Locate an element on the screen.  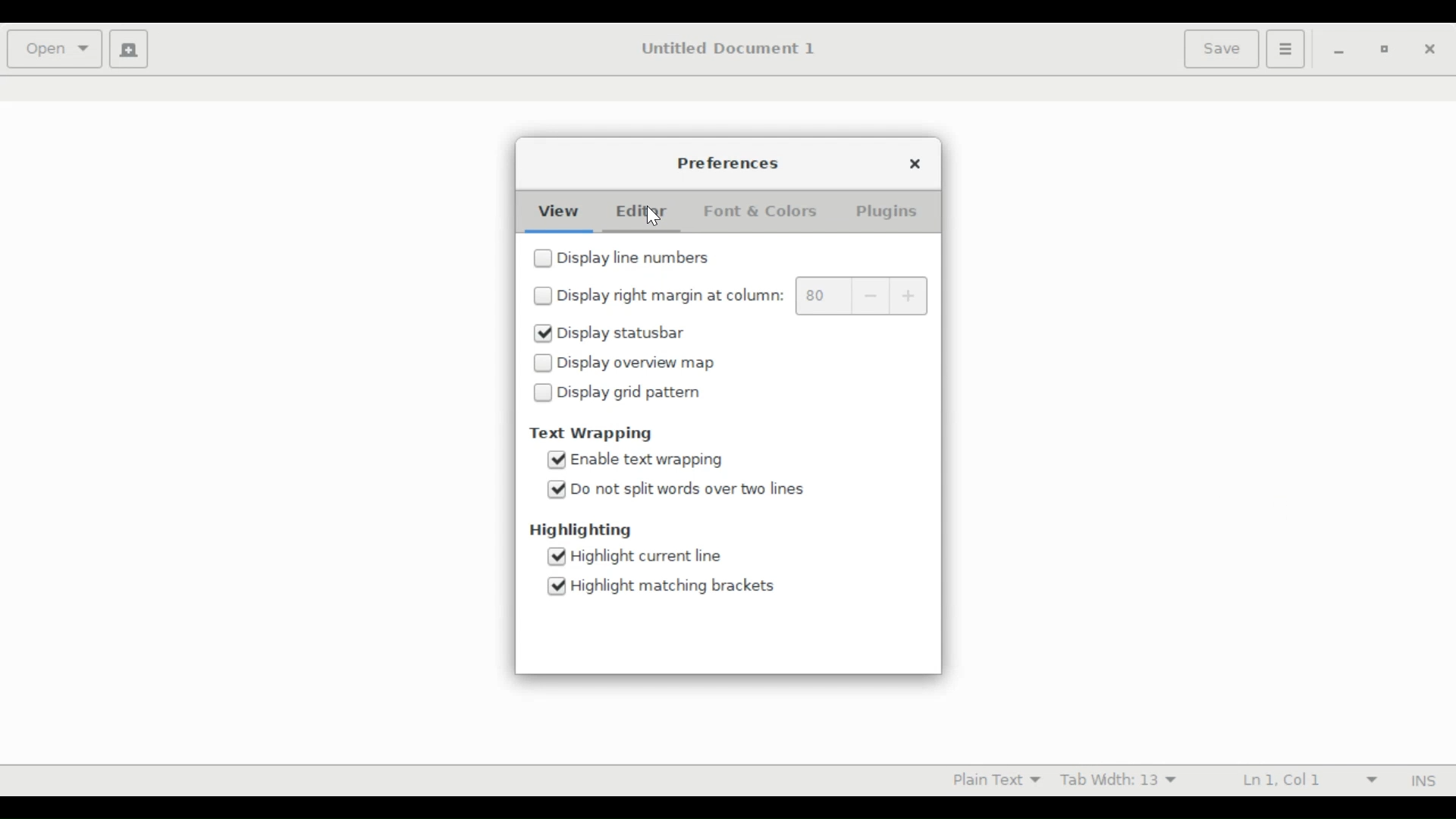
Plugins is located at coordinates (886, 212).